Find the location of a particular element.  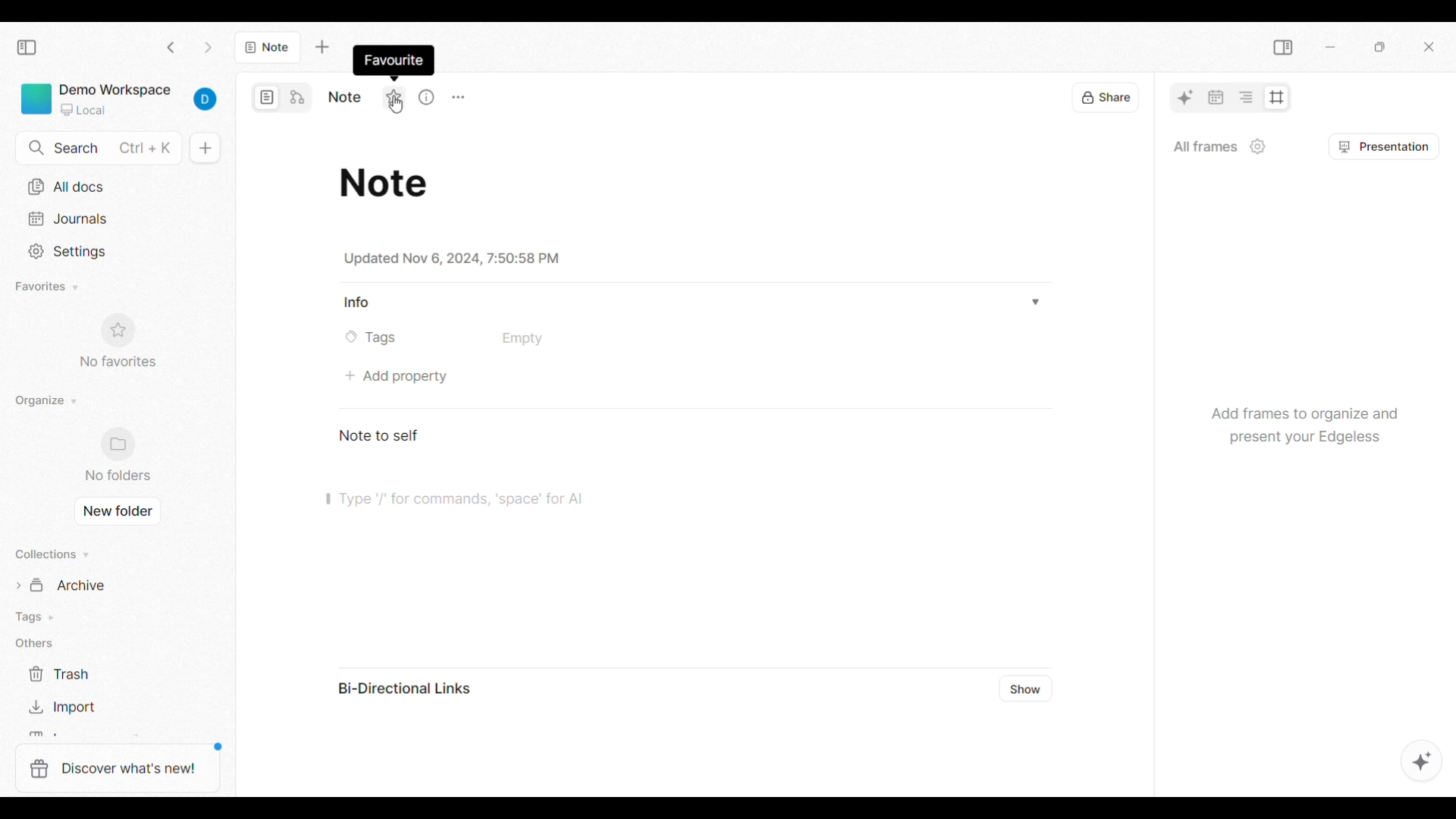

Collections + is located at coordinates (53, 554).